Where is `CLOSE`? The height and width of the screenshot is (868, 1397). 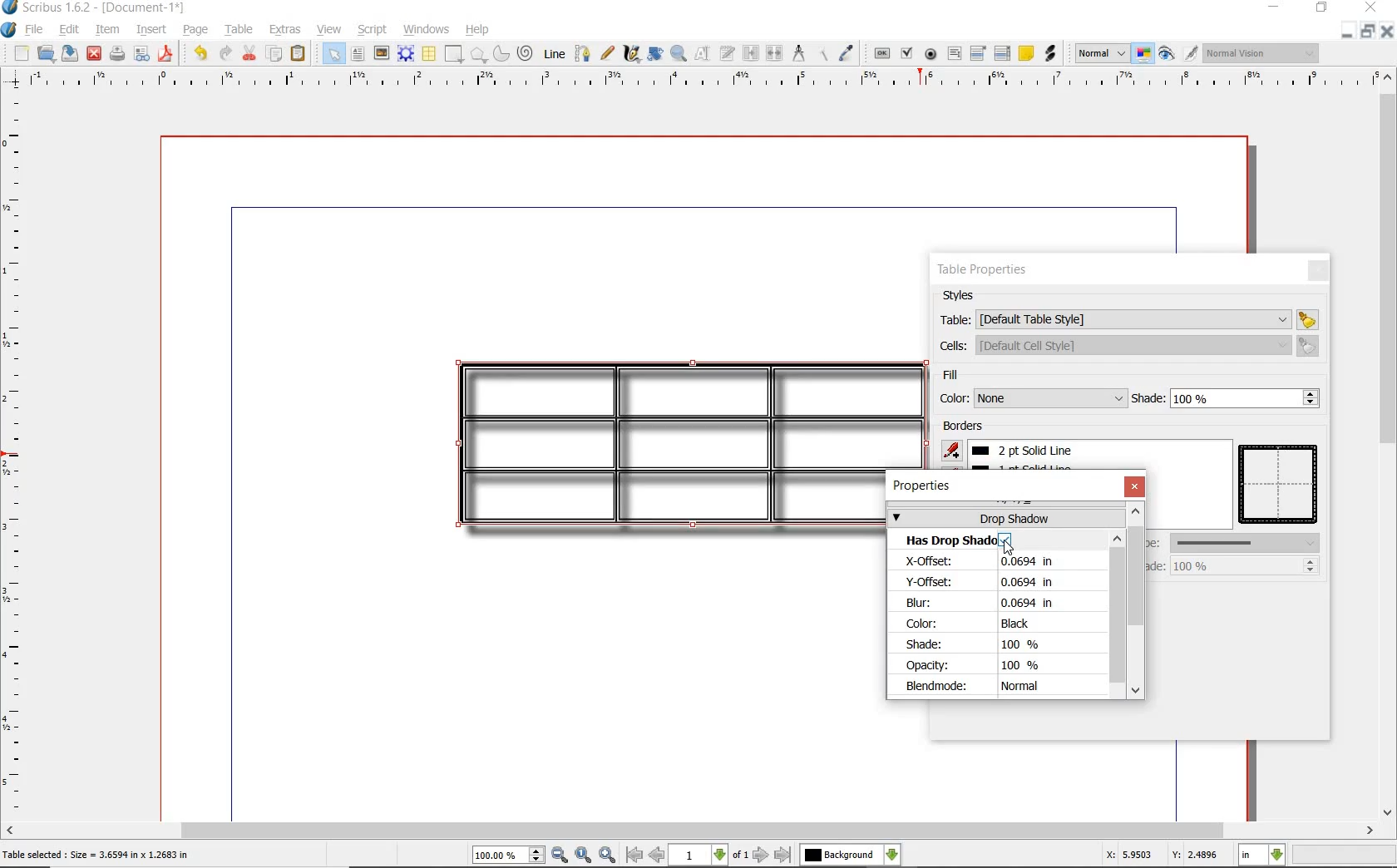
CLOSE is located at coordinates (1371, 7).